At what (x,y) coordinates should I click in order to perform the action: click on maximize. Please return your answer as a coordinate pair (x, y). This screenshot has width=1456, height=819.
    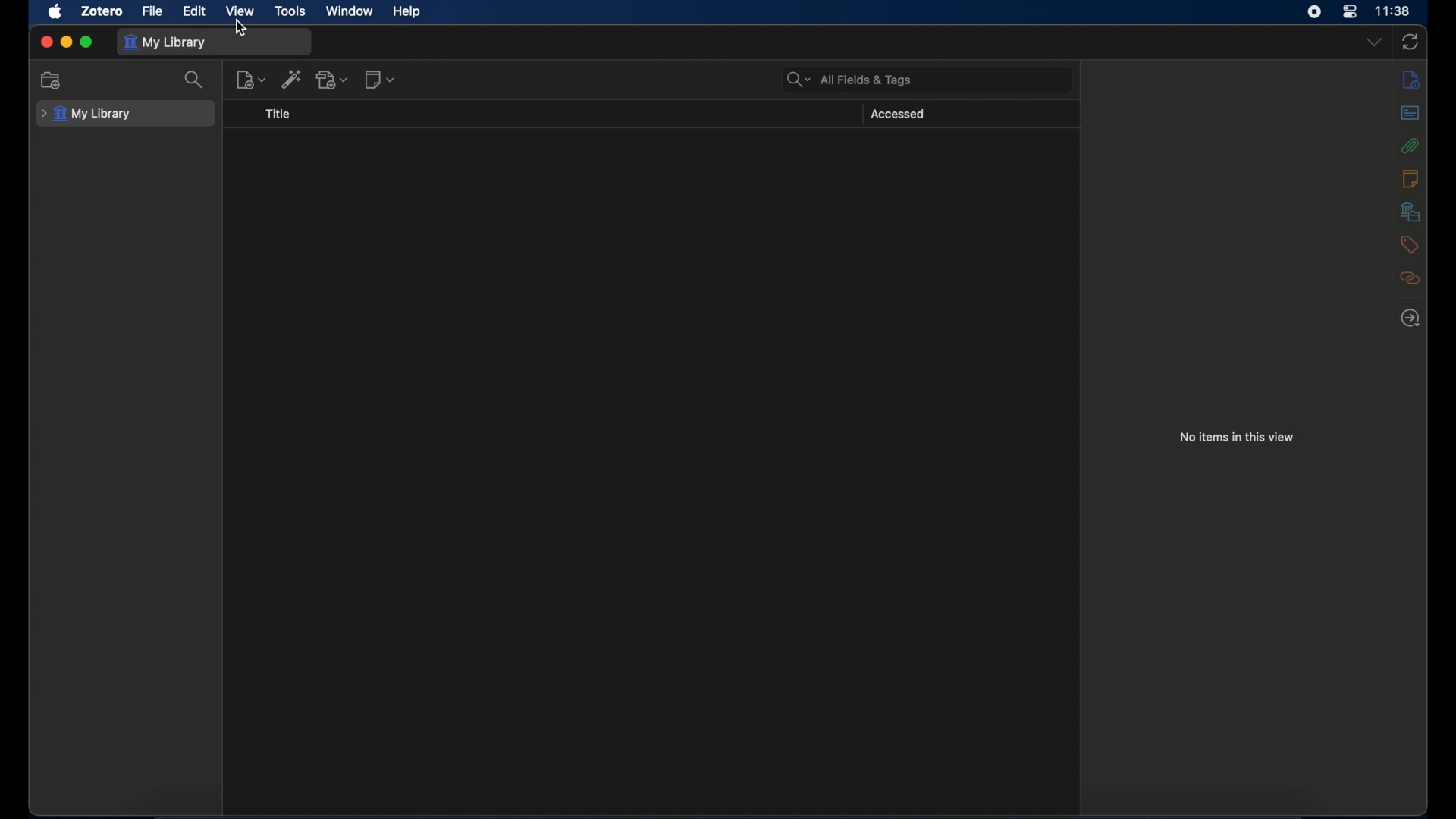
    Looking at the image, I should click on (86, 42).